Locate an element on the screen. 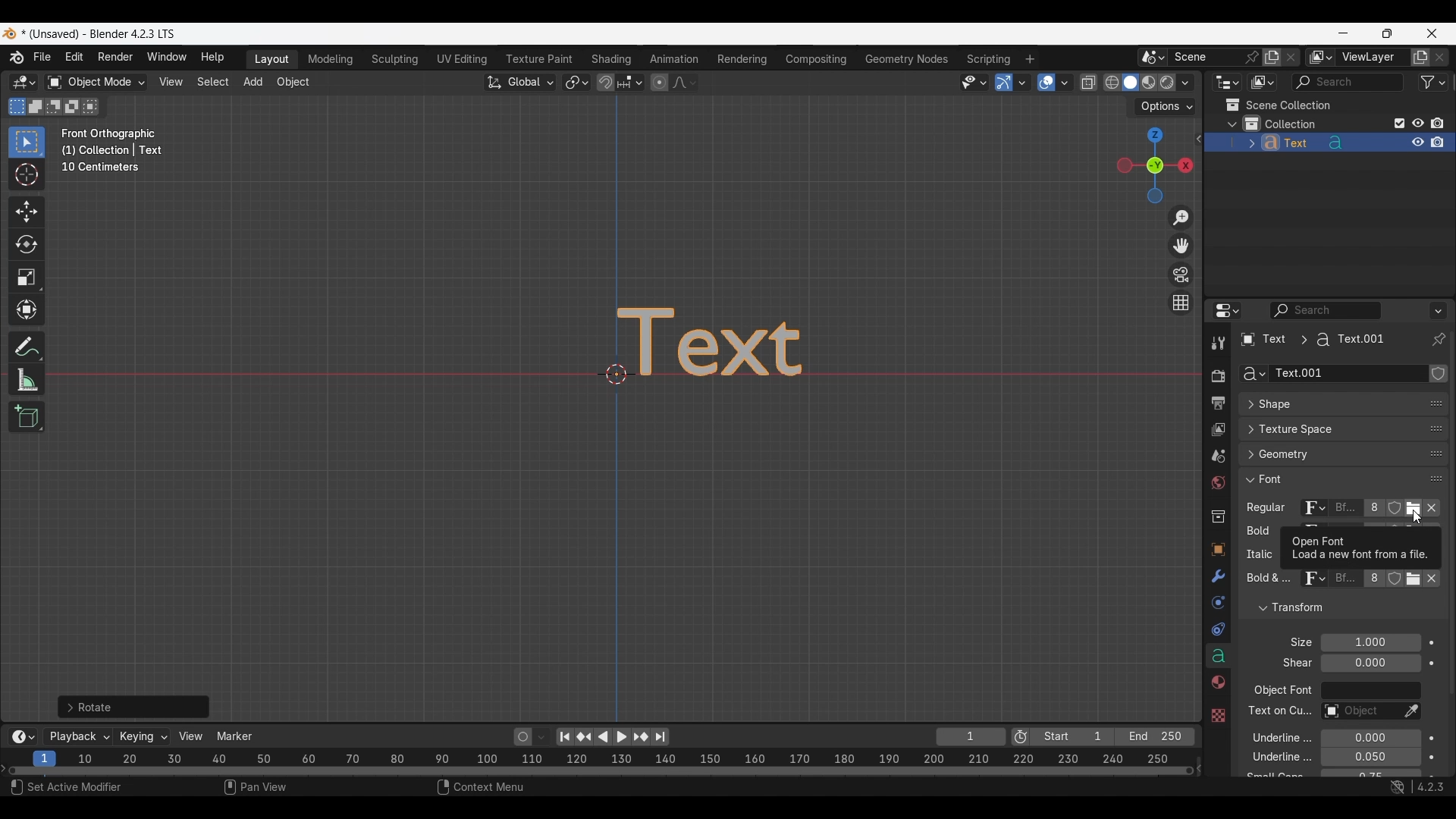 The height and width of the screenshot is (819, 1456). Name of current font of each attribute is located at coordinates (1345, 510).